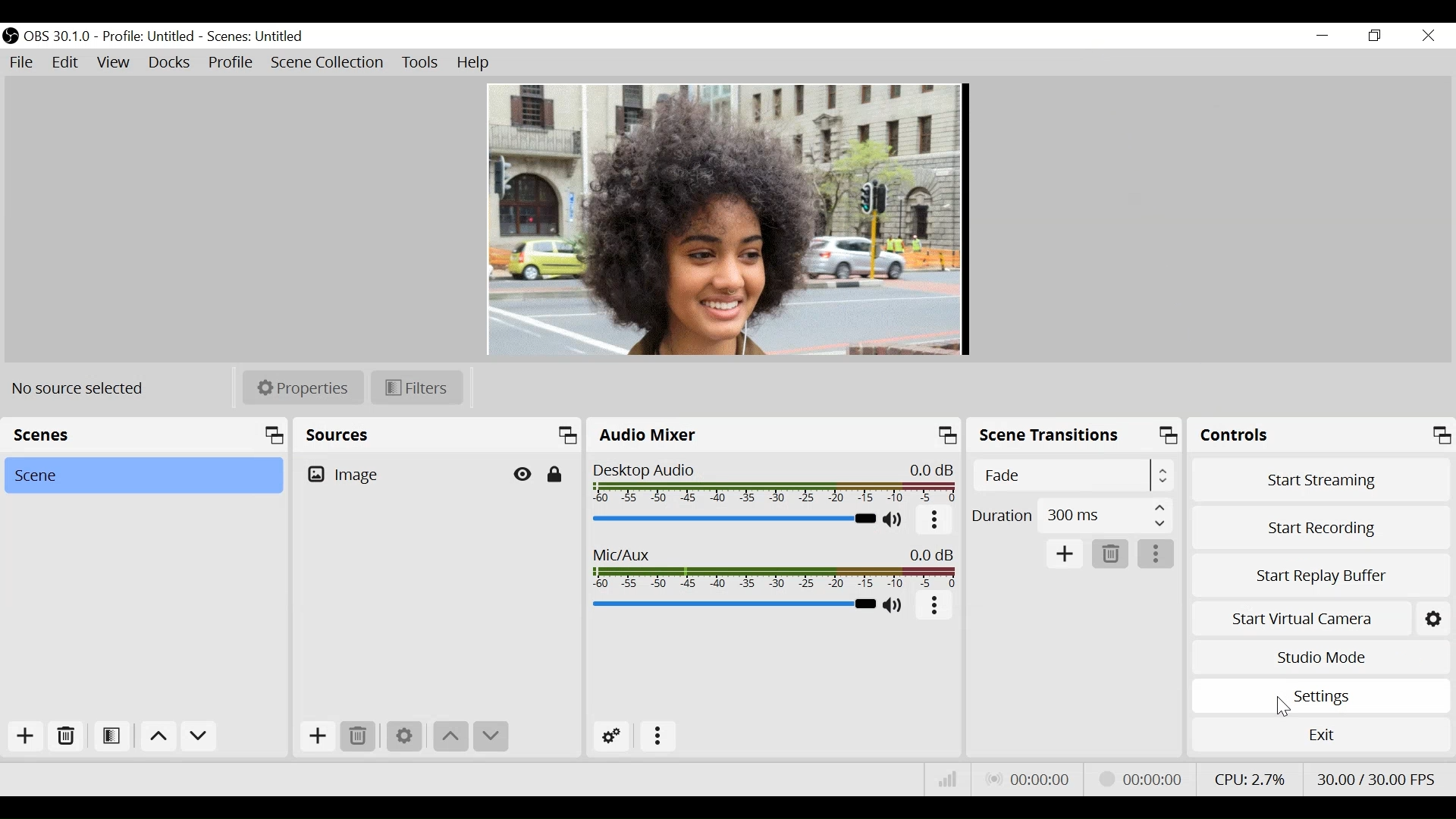 This screenshot has width=1456, height=819. I want to click on Move Up, so click(155, 738).